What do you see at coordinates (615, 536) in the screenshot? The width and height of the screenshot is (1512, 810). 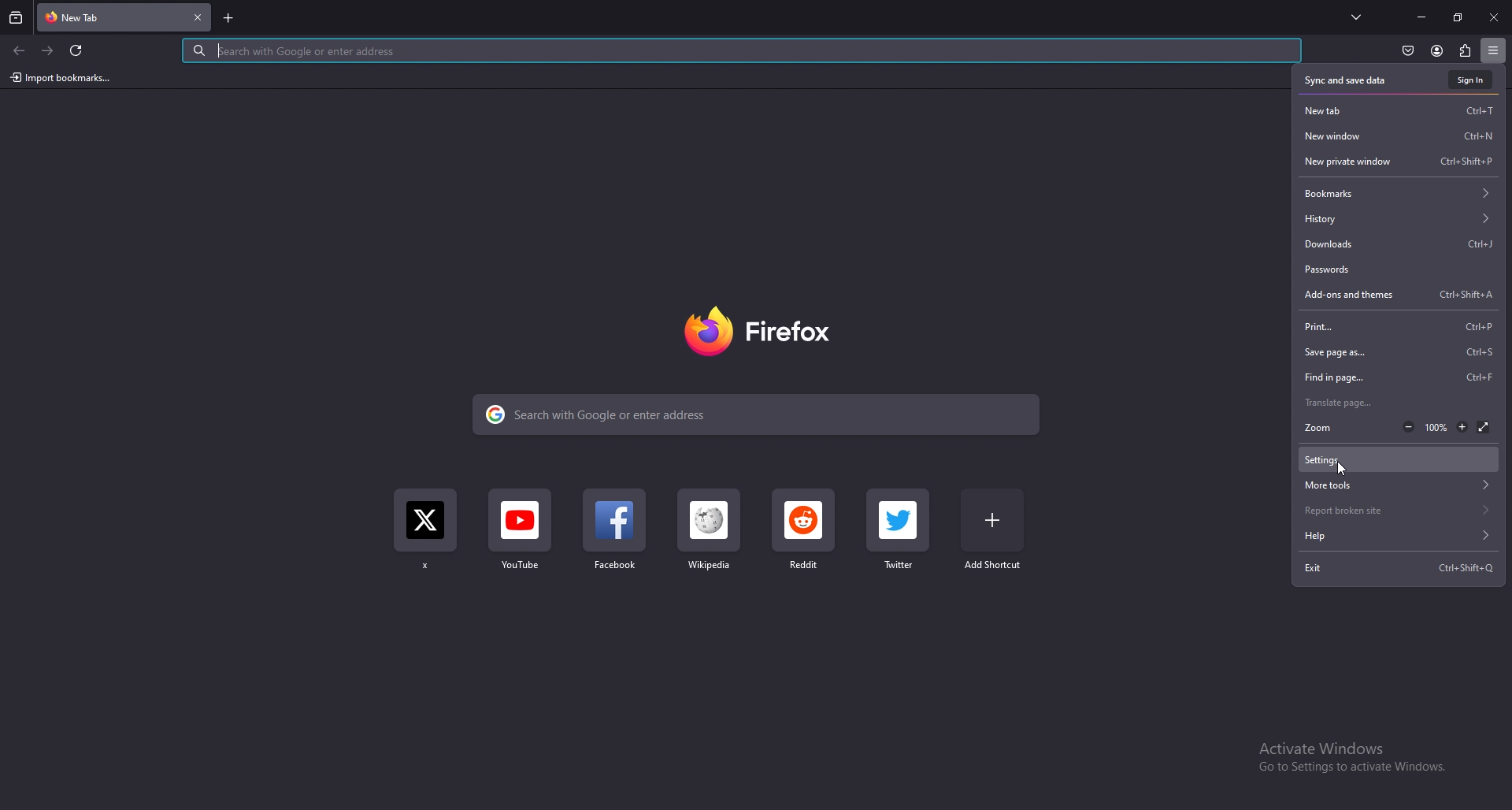 I see `facebook` at bounding box center [615, 536].